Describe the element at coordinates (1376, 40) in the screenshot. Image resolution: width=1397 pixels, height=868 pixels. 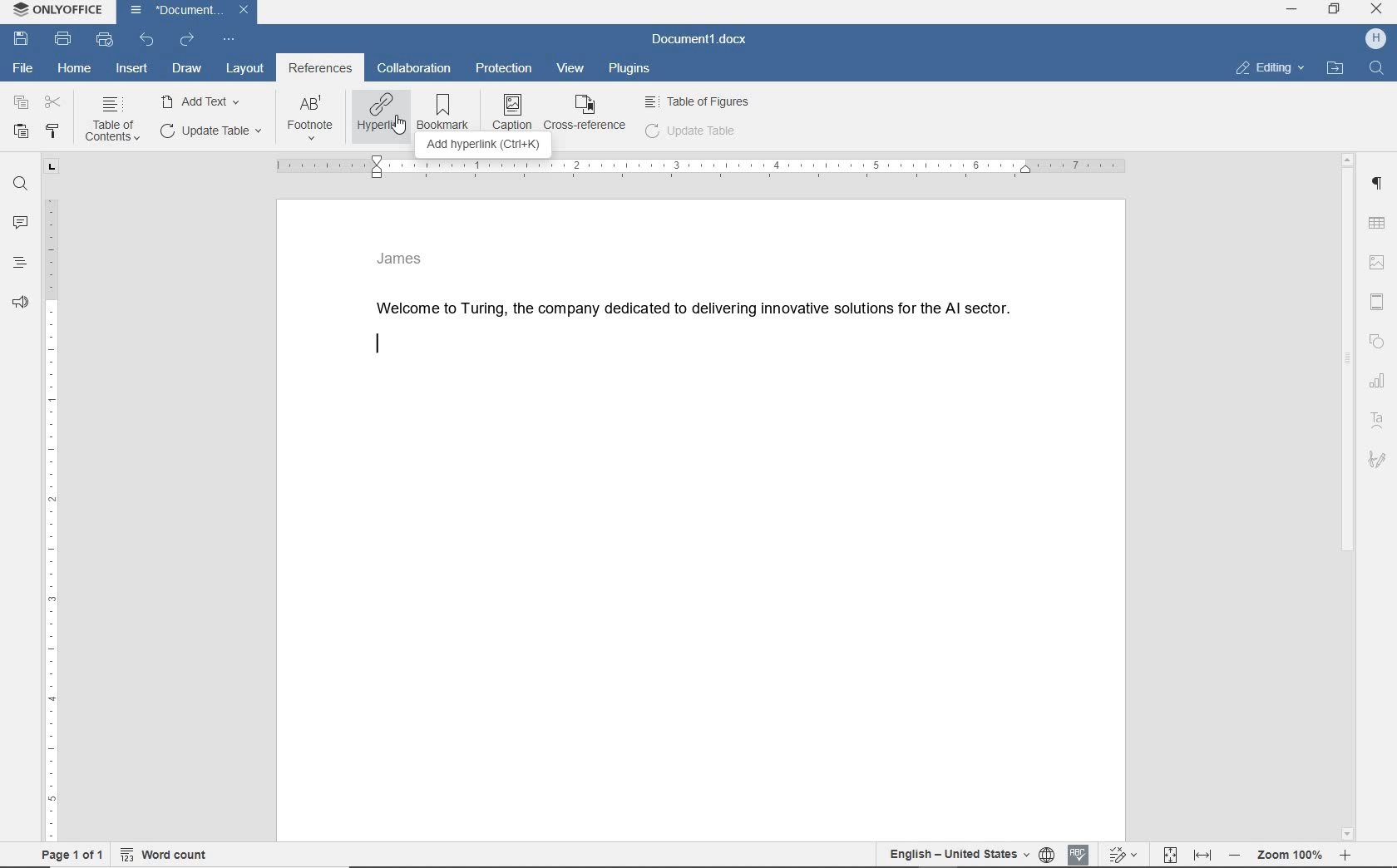
I see `username` at that location.